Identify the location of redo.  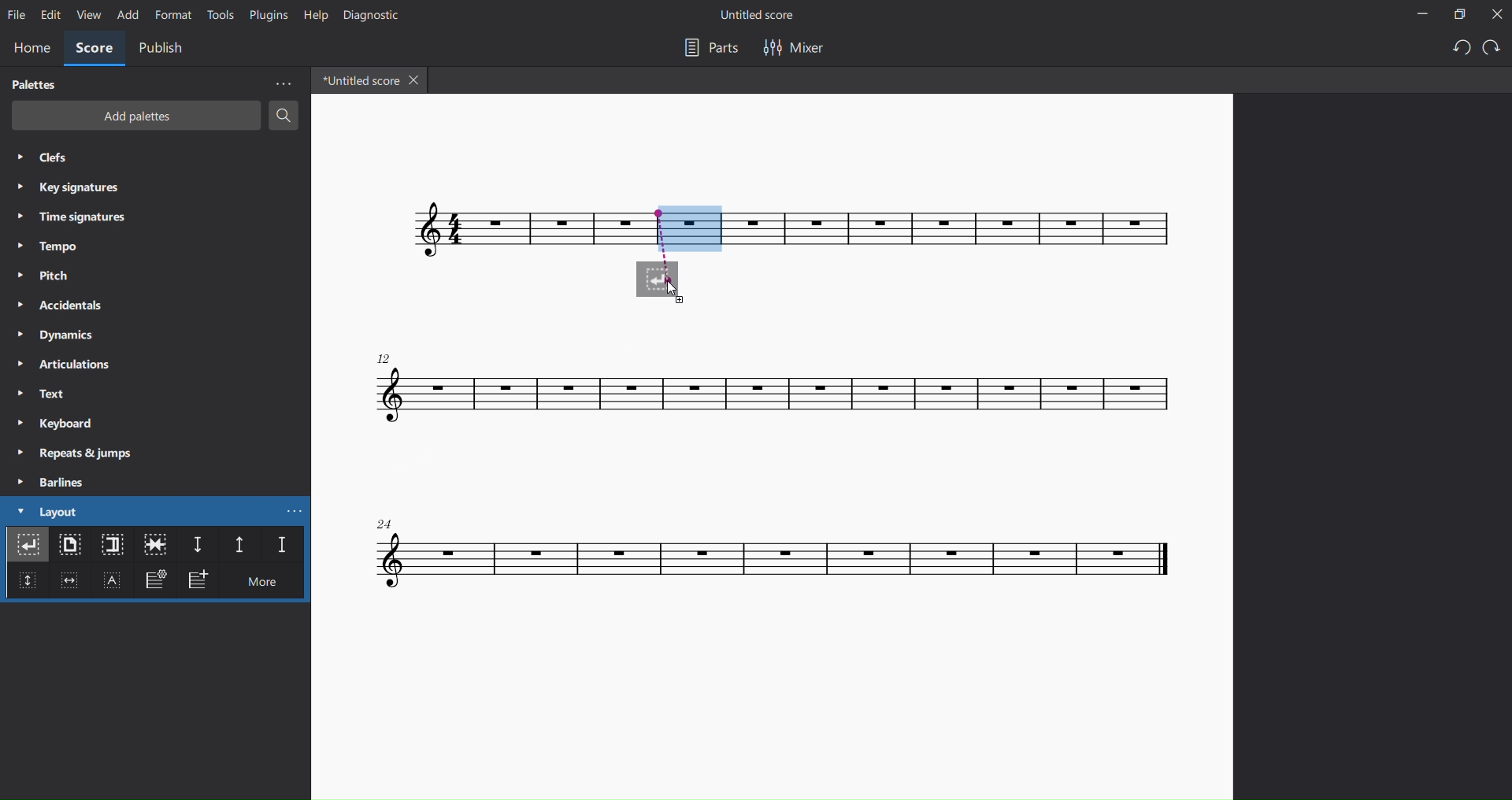
(1492, 49).